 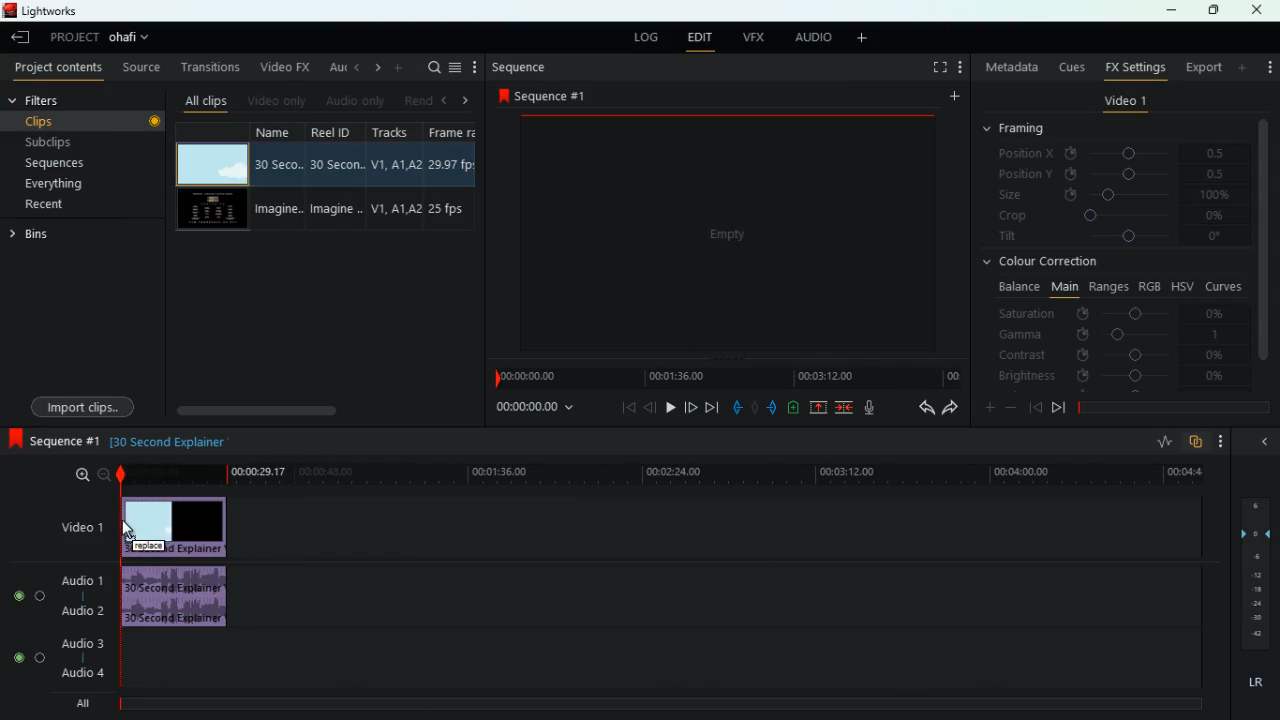 What do you see at coordinates (321, 410) in the screenshot?
I see `scroll` at bounding box center [321, 410].